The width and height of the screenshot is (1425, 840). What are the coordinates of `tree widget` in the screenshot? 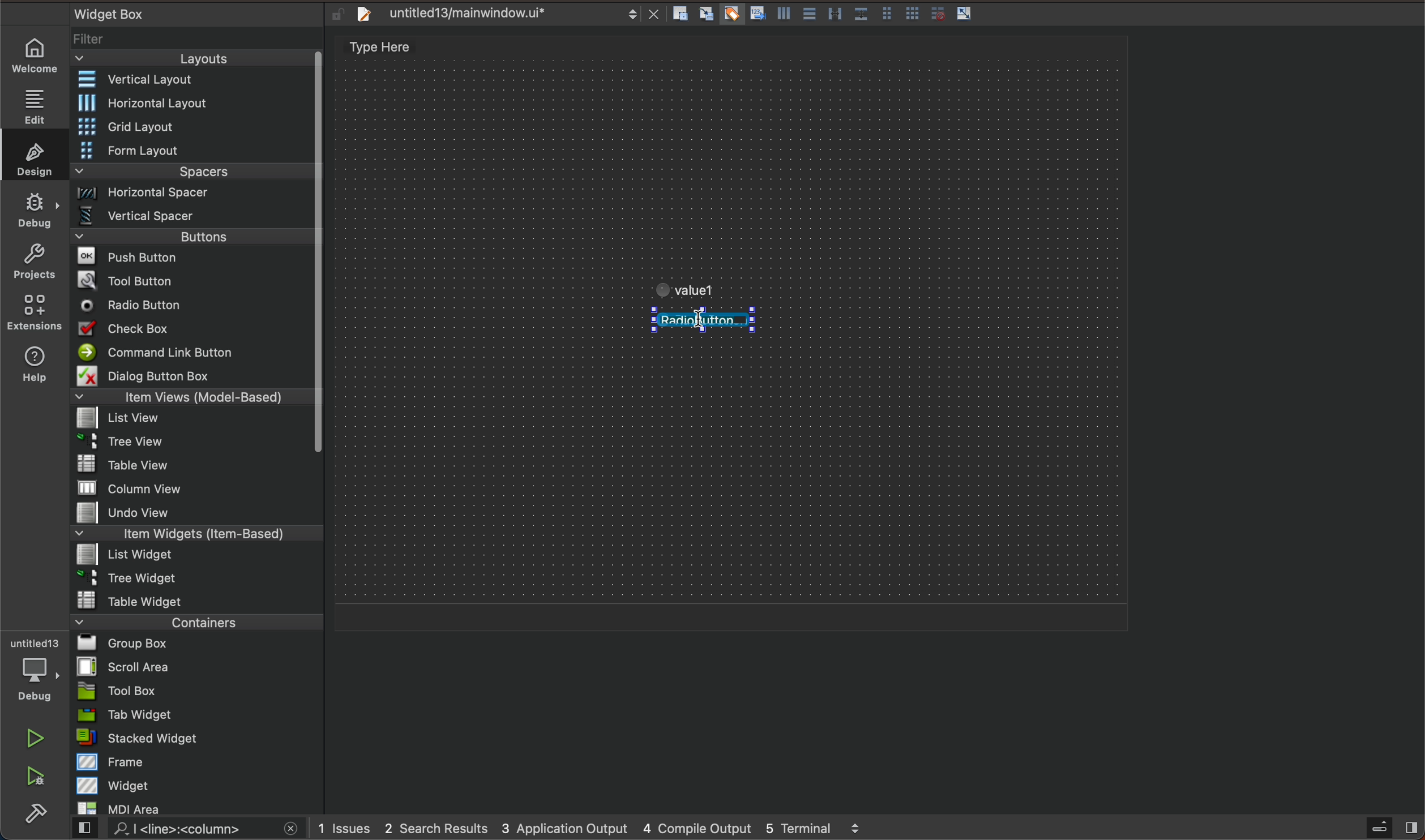 It's located at (198, 579).